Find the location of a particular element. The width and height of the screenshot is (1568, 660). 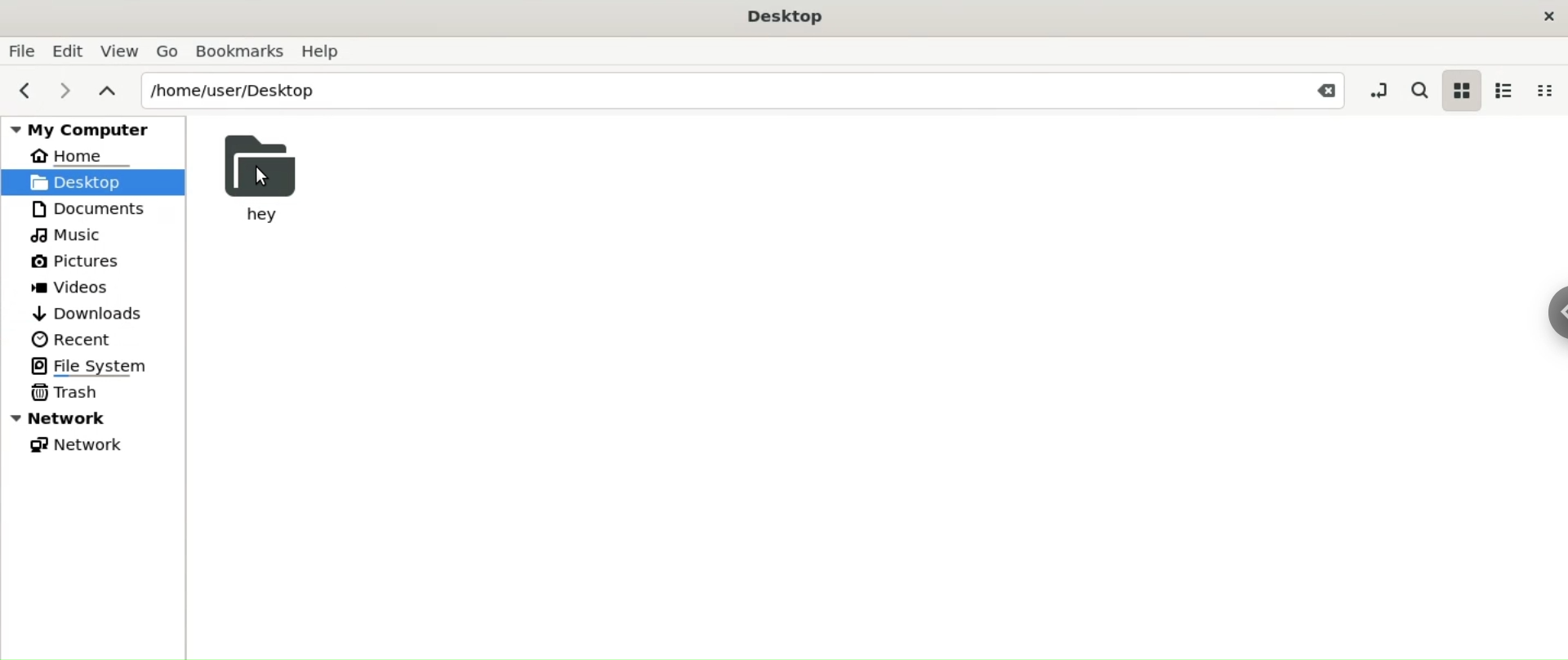

Documents is located at coordinates (84, 210).